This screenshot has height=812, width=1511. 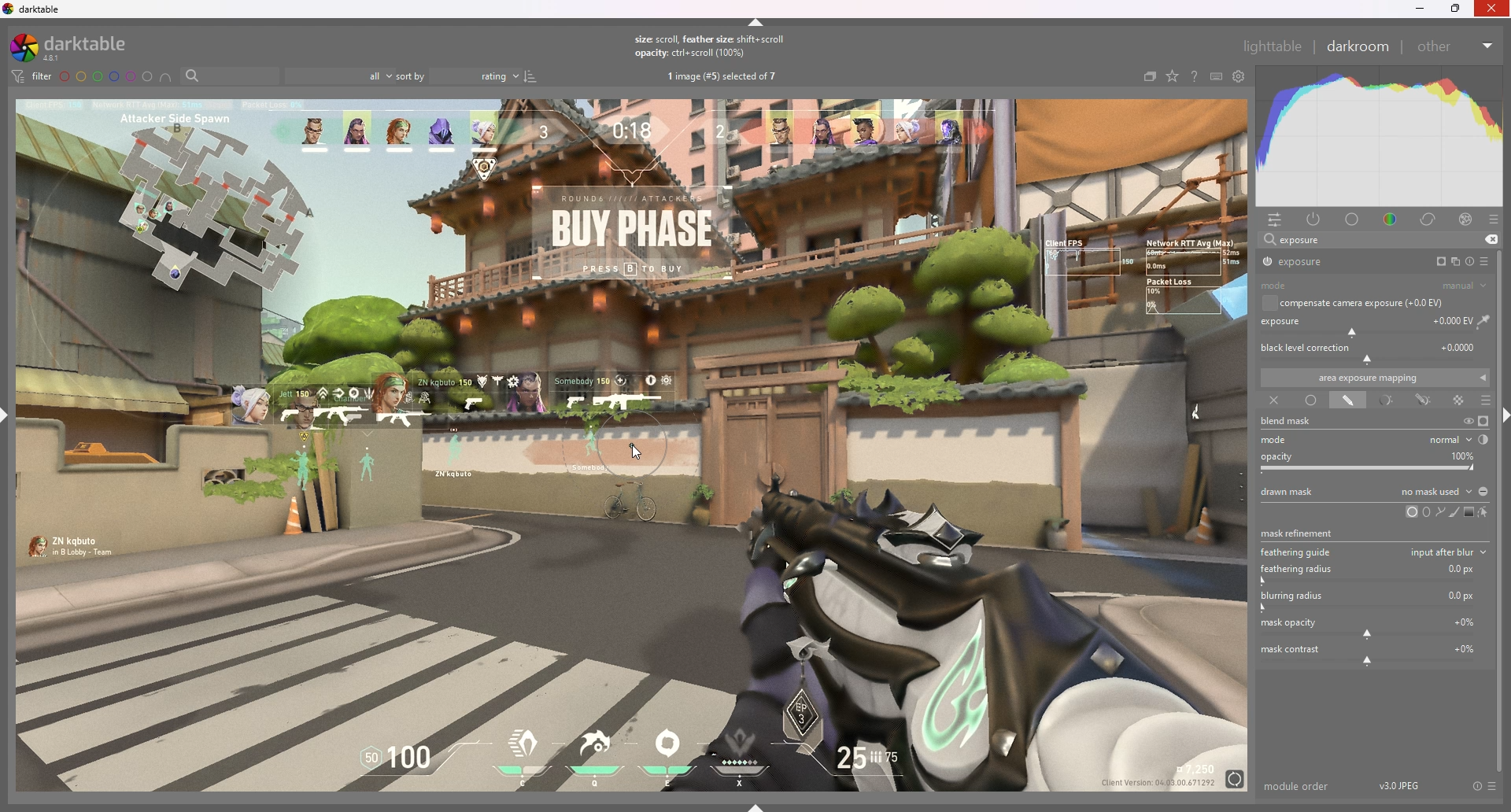 What do you see at coordinates (1300, 239) in the screenshot?
I see `exposure` at bounding box center [1300, 239].